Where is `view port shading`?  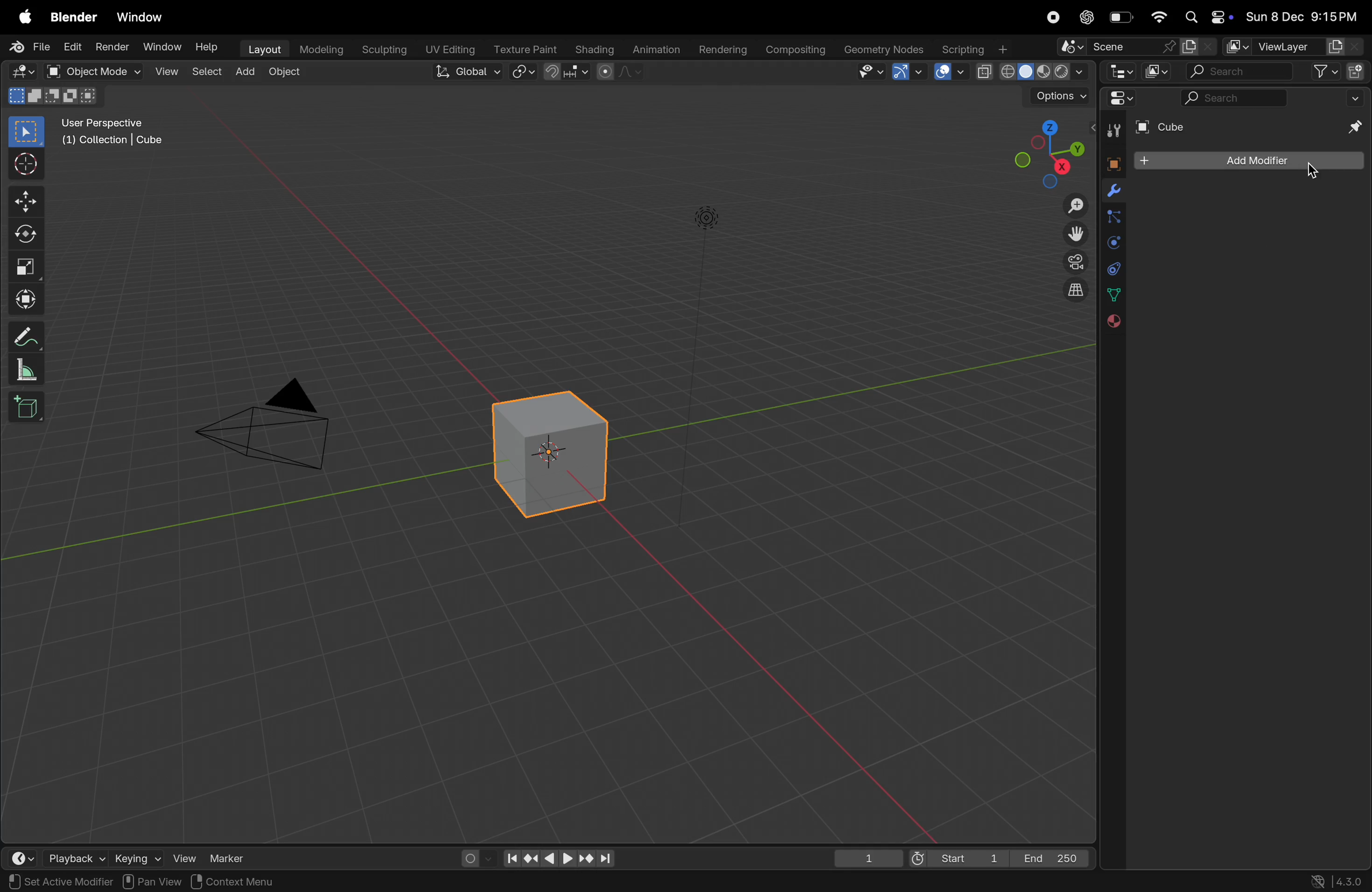 view port shading is located at coordinates (1031, 72).